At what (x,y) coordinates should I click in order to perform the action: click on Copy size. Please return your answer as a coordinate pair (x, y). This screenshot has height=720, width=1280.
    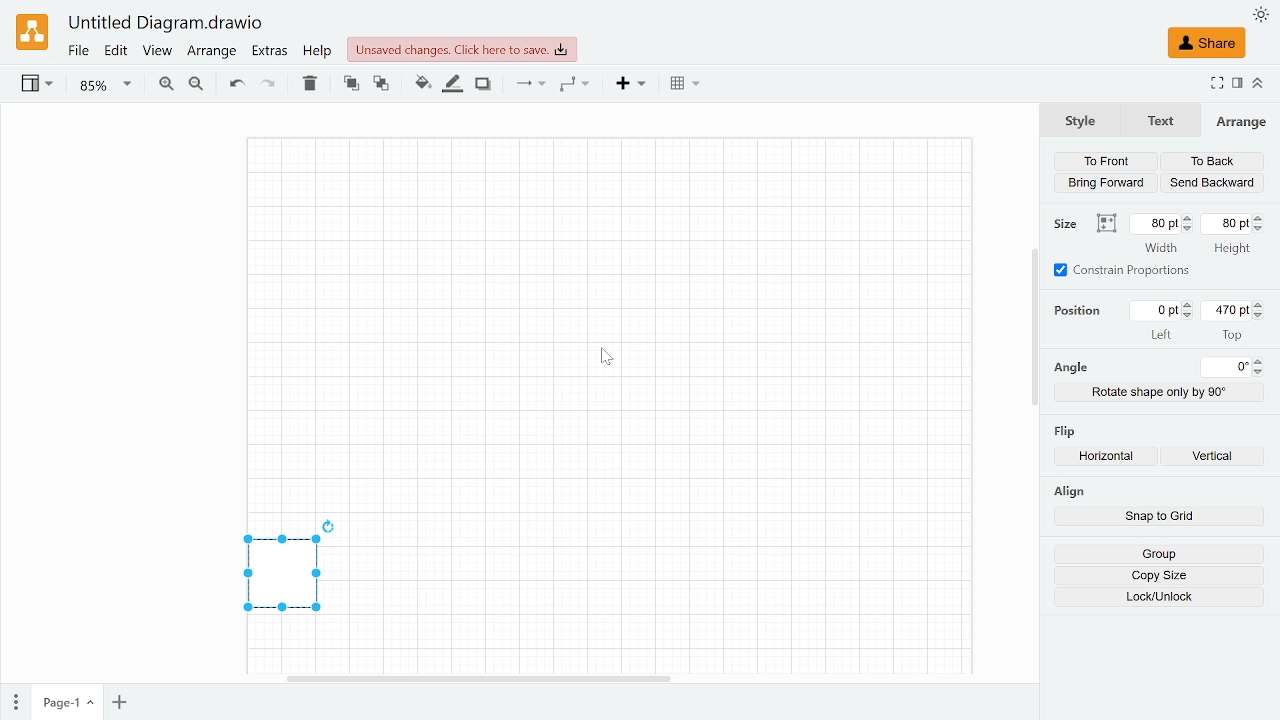
    Looking at the image, I should click on (1159, 576).